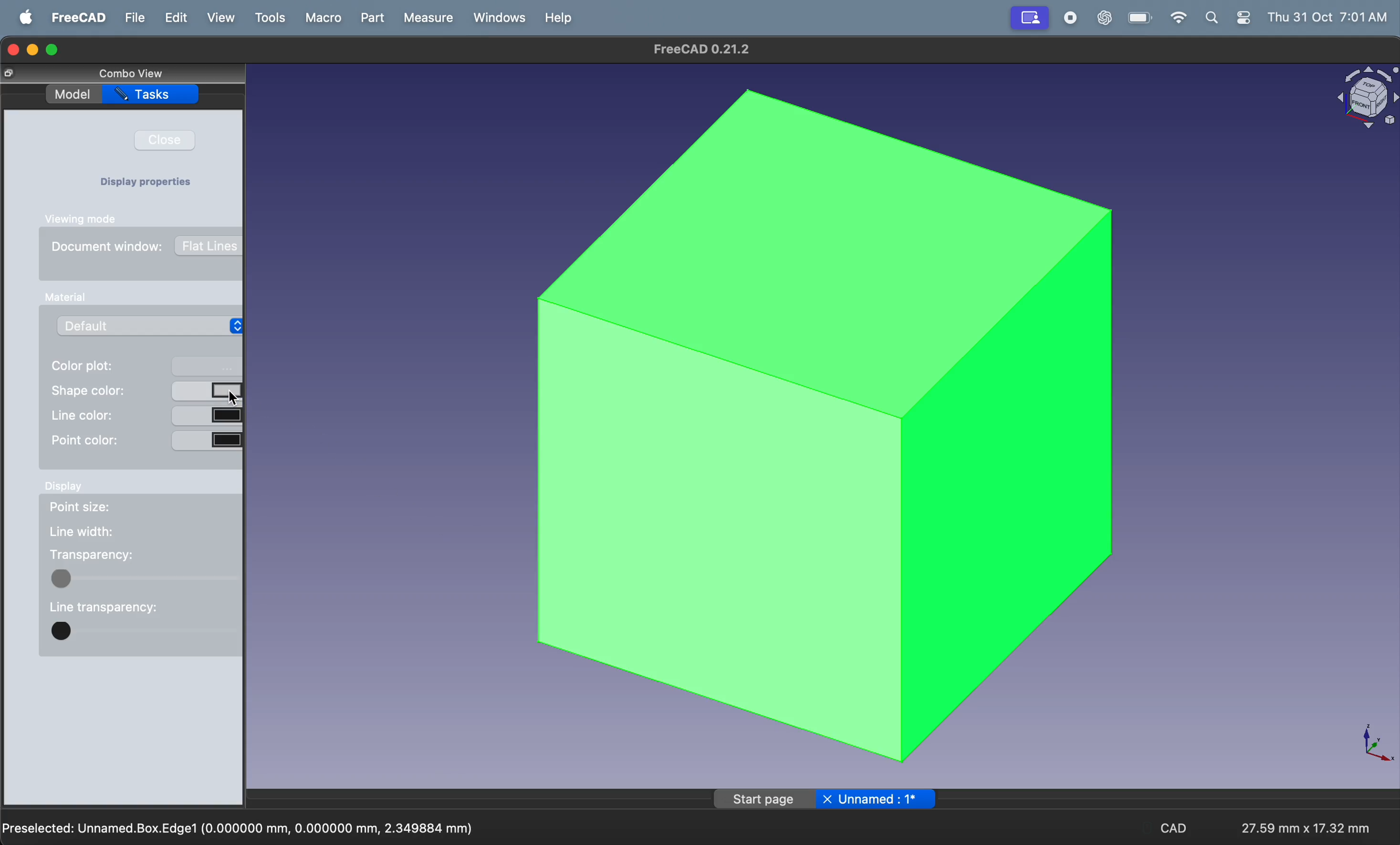  What do you see at coordinates (152, 97) in the screenshot?
I see `task` at bounding box center [152, 97].